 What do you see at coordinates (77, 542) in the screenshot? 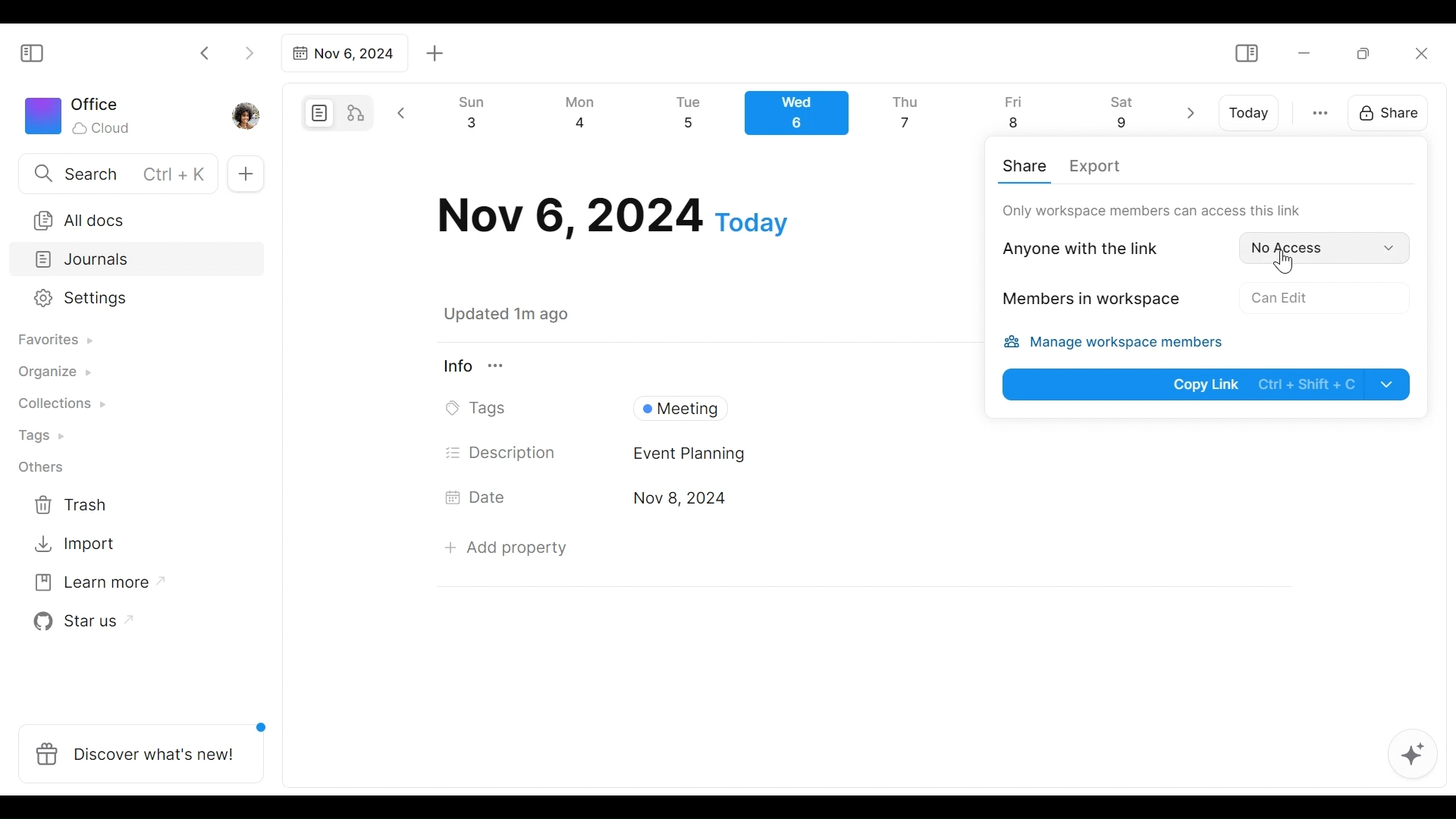
I see `Import` at bounding box center [77, 542].